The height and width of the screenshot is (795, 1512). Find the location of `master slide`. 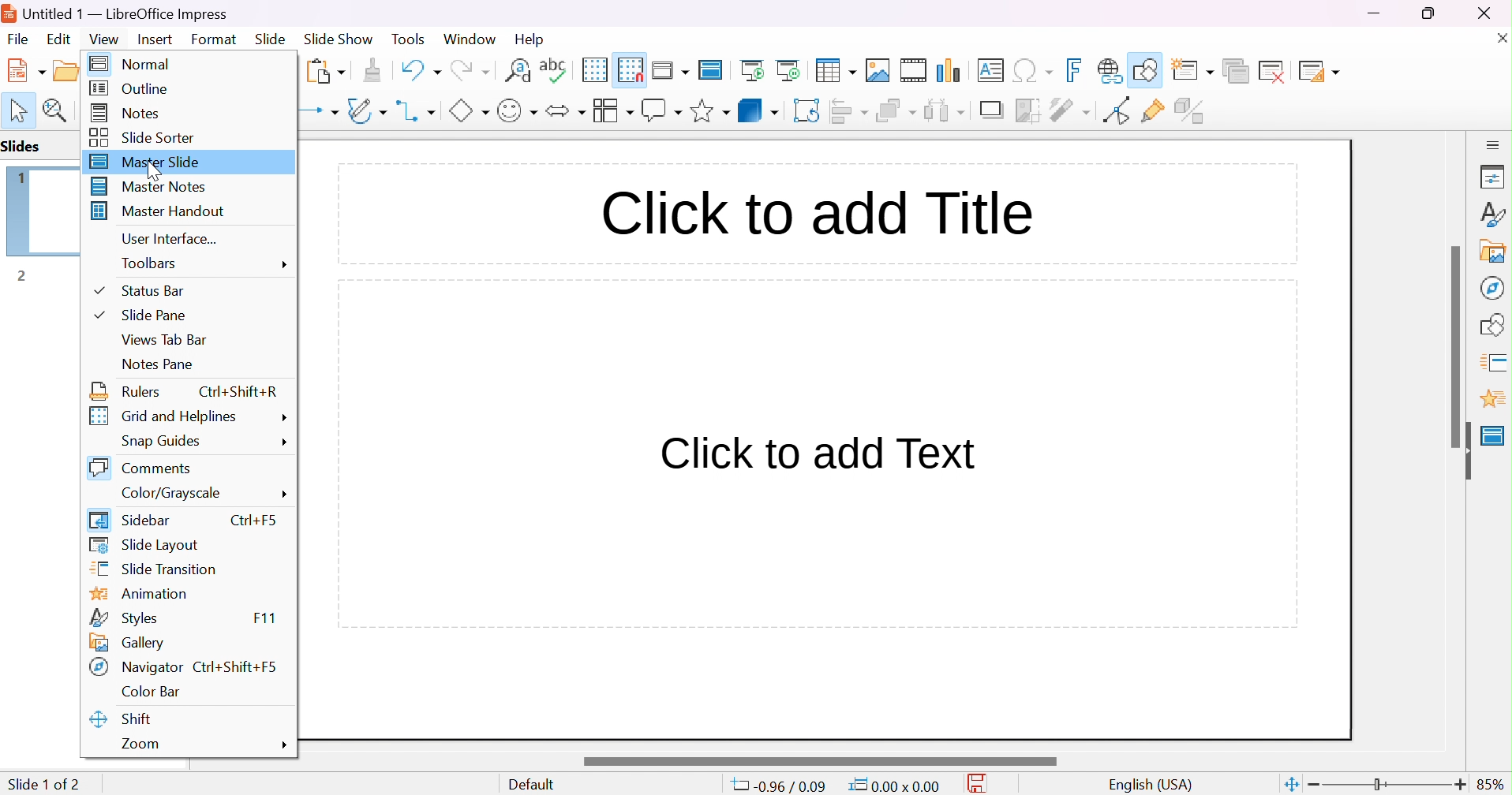

master slide is located at coordinates (1493, 435).